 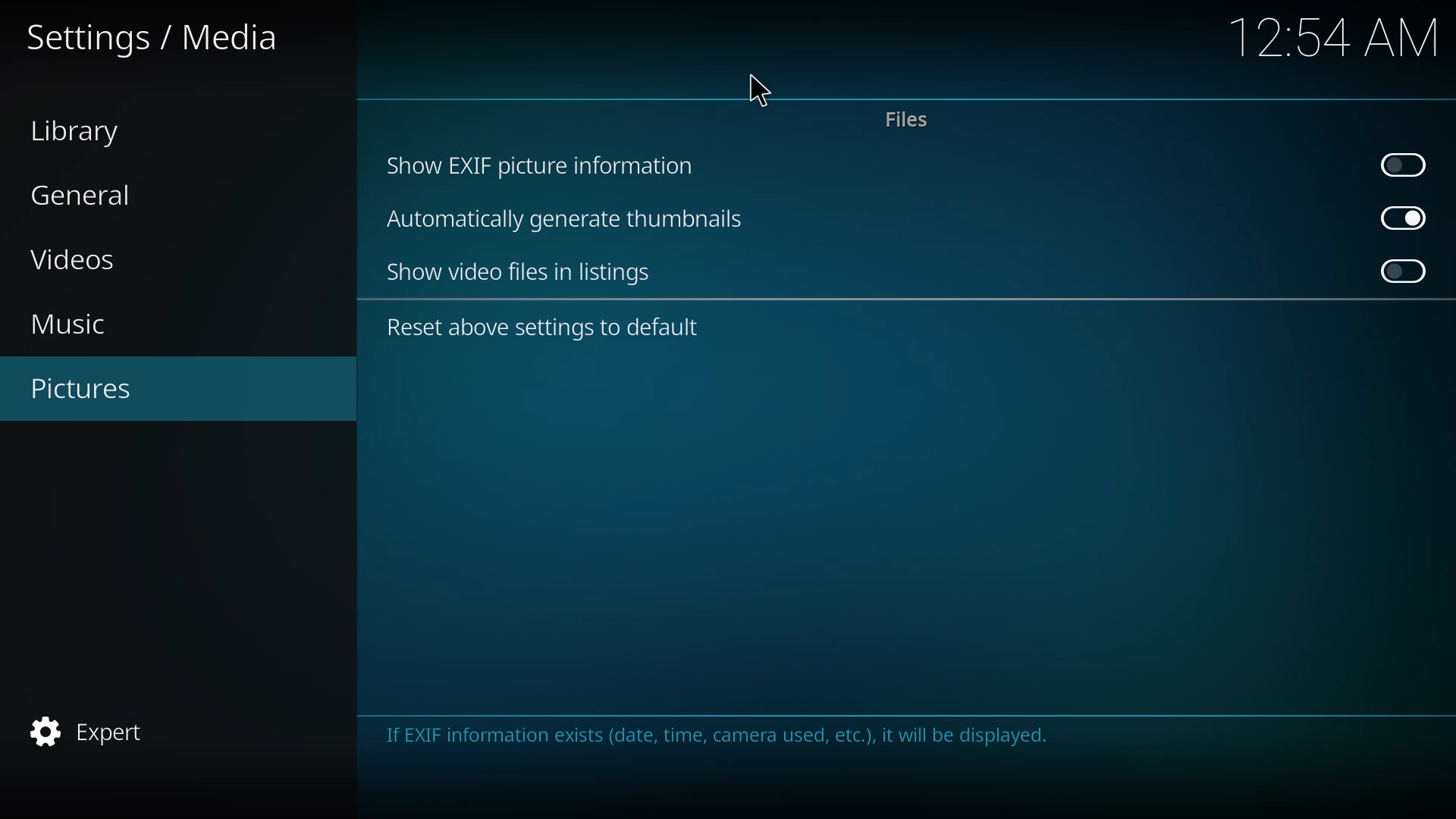 What do you see at coordinates (96, 388) in the screenshot?
I see `pictures` at bounding box center [96, 388].